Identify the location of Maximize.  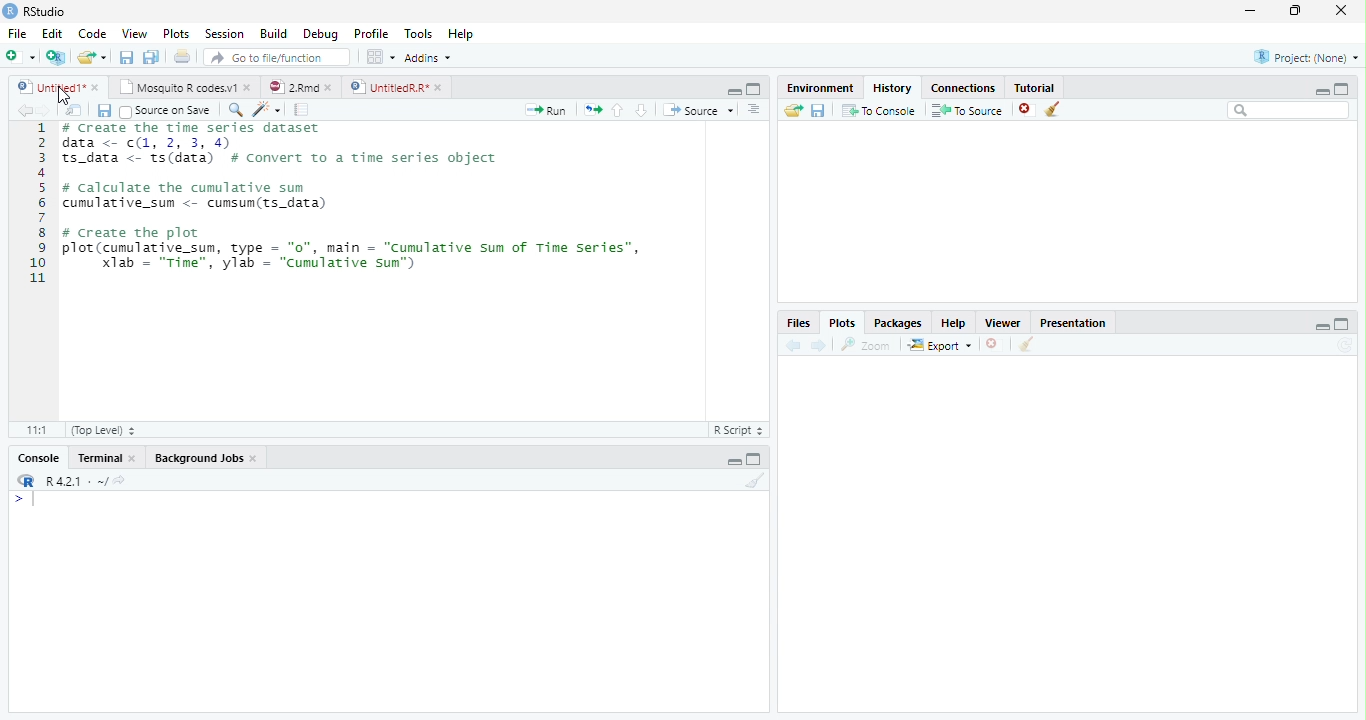
(1341, 325).